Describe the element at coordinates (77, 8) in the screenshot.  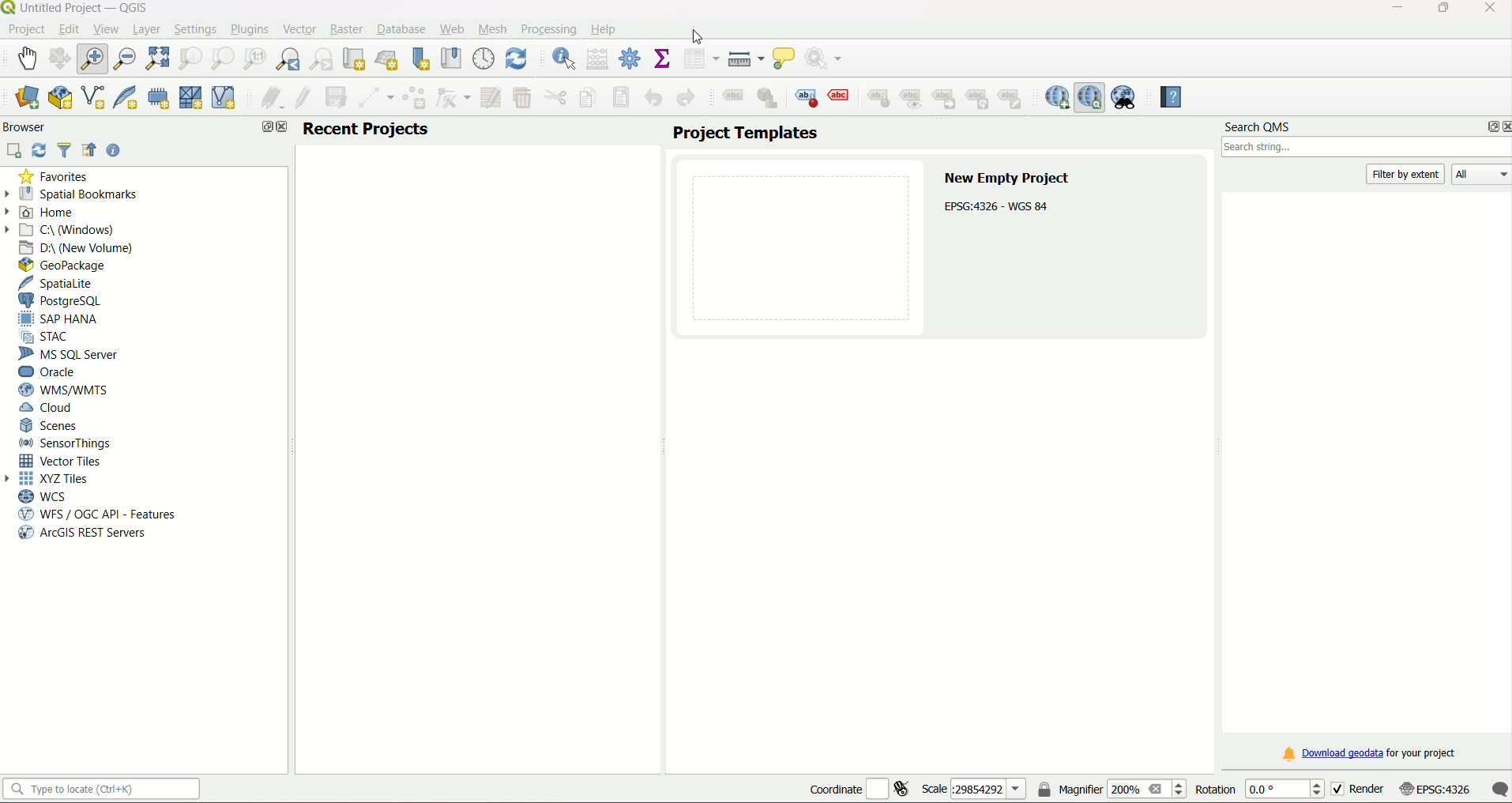
I see `logo and title` at that location.